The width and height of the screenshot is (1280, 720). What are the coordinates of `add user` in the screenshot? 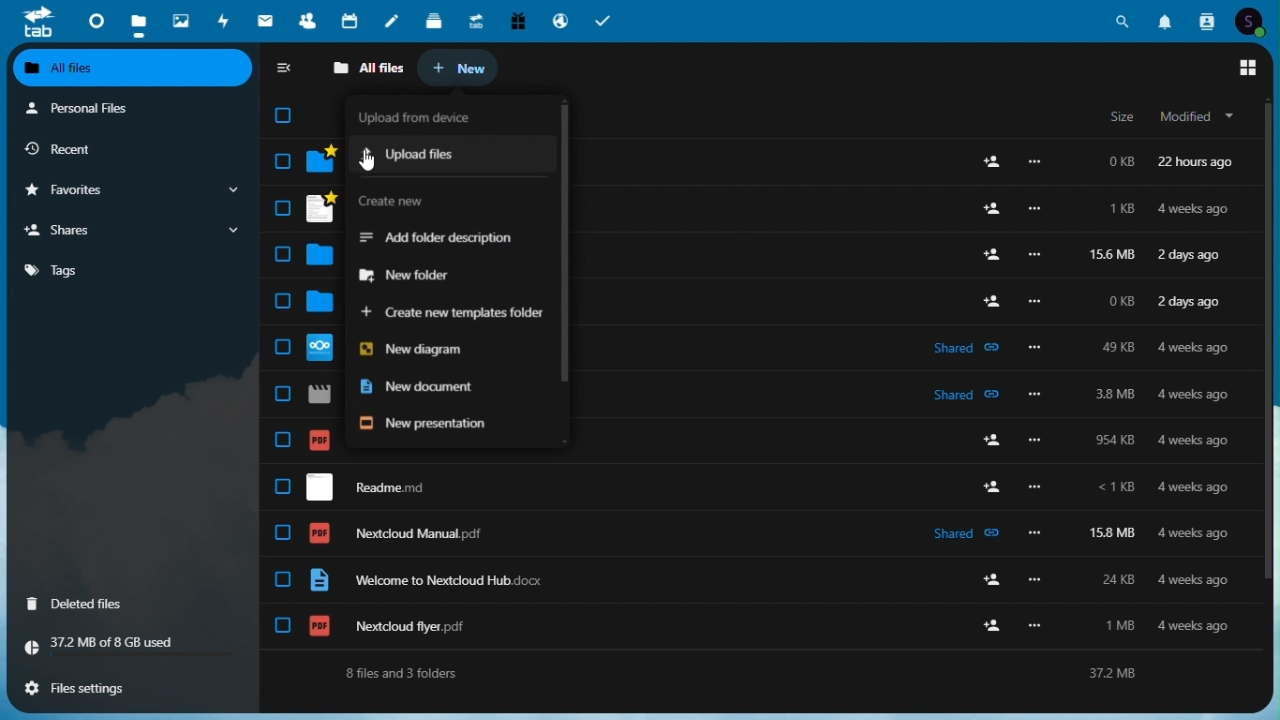 It's located at (995, 625).